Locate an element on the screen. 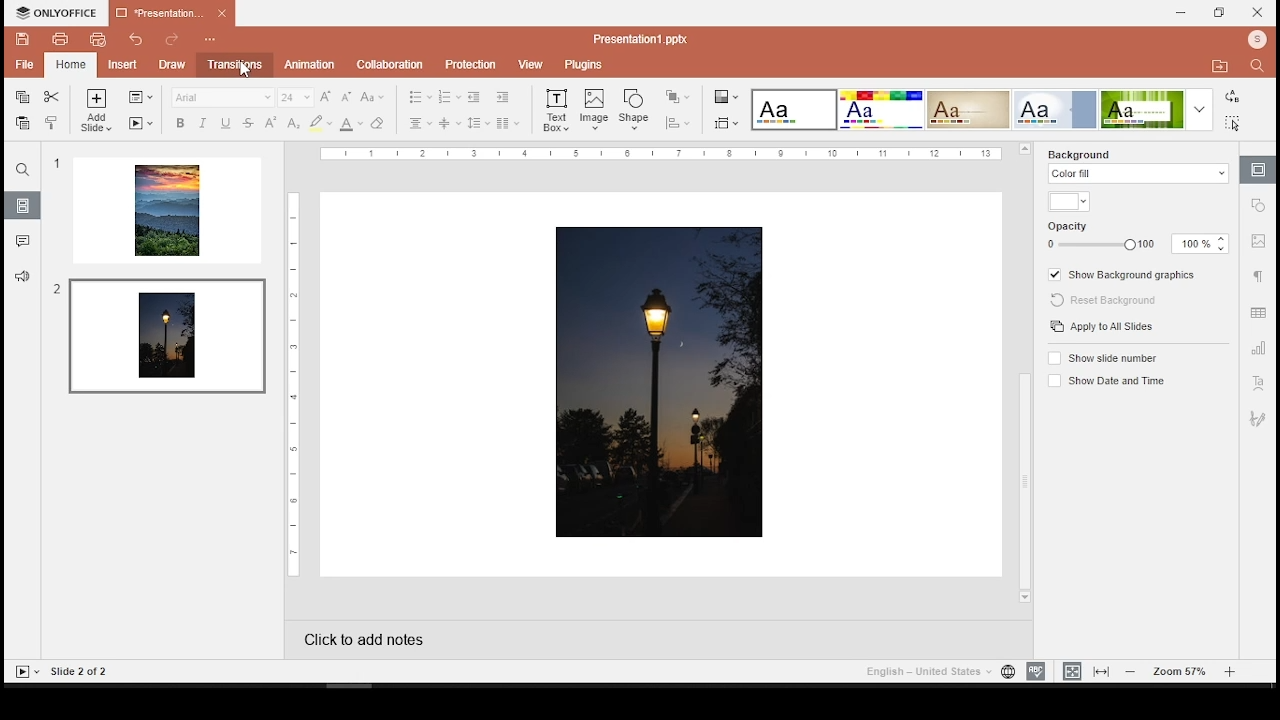  show background graphics is located at coordinates (1125, 274).